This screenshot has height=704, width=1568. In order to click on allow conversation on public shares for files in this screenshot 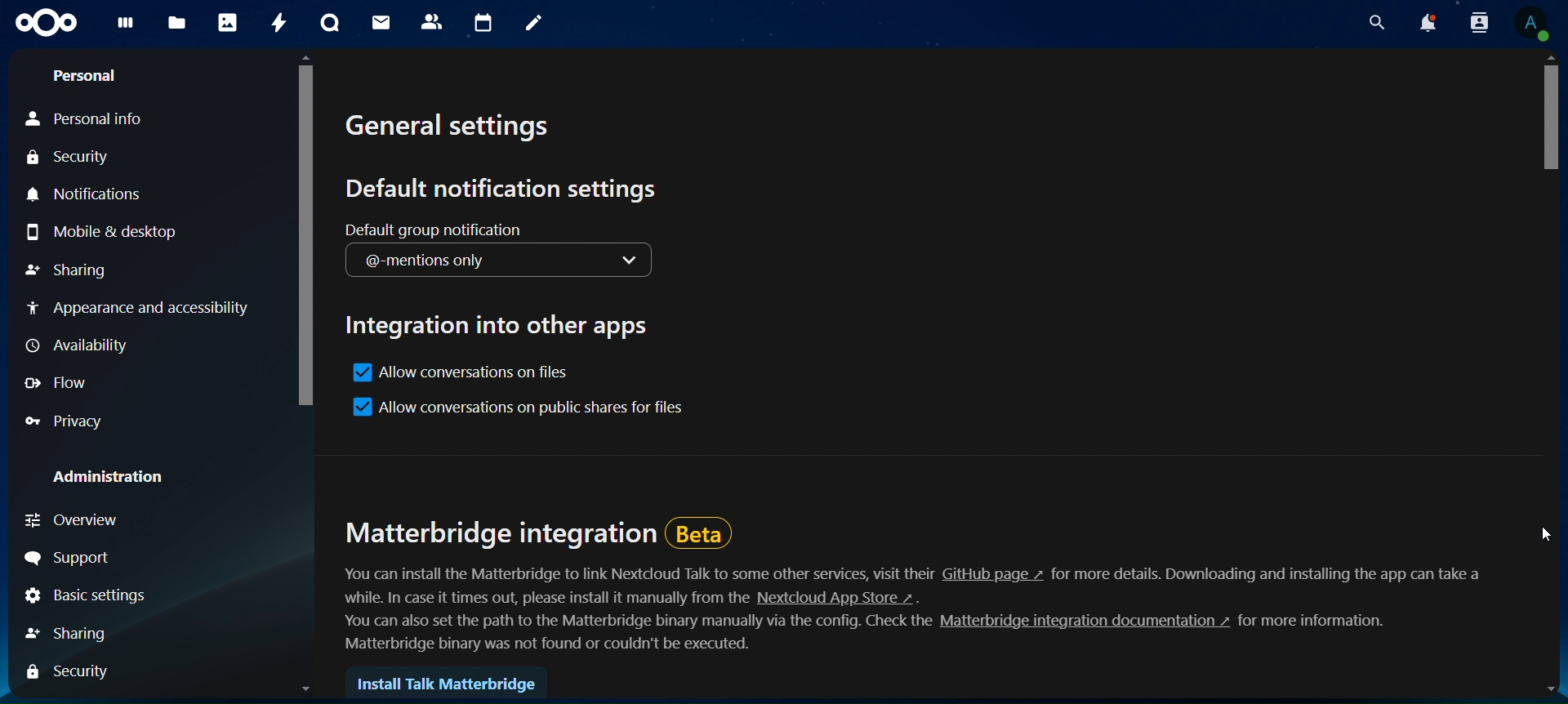, I will do `click(521, 411)`.